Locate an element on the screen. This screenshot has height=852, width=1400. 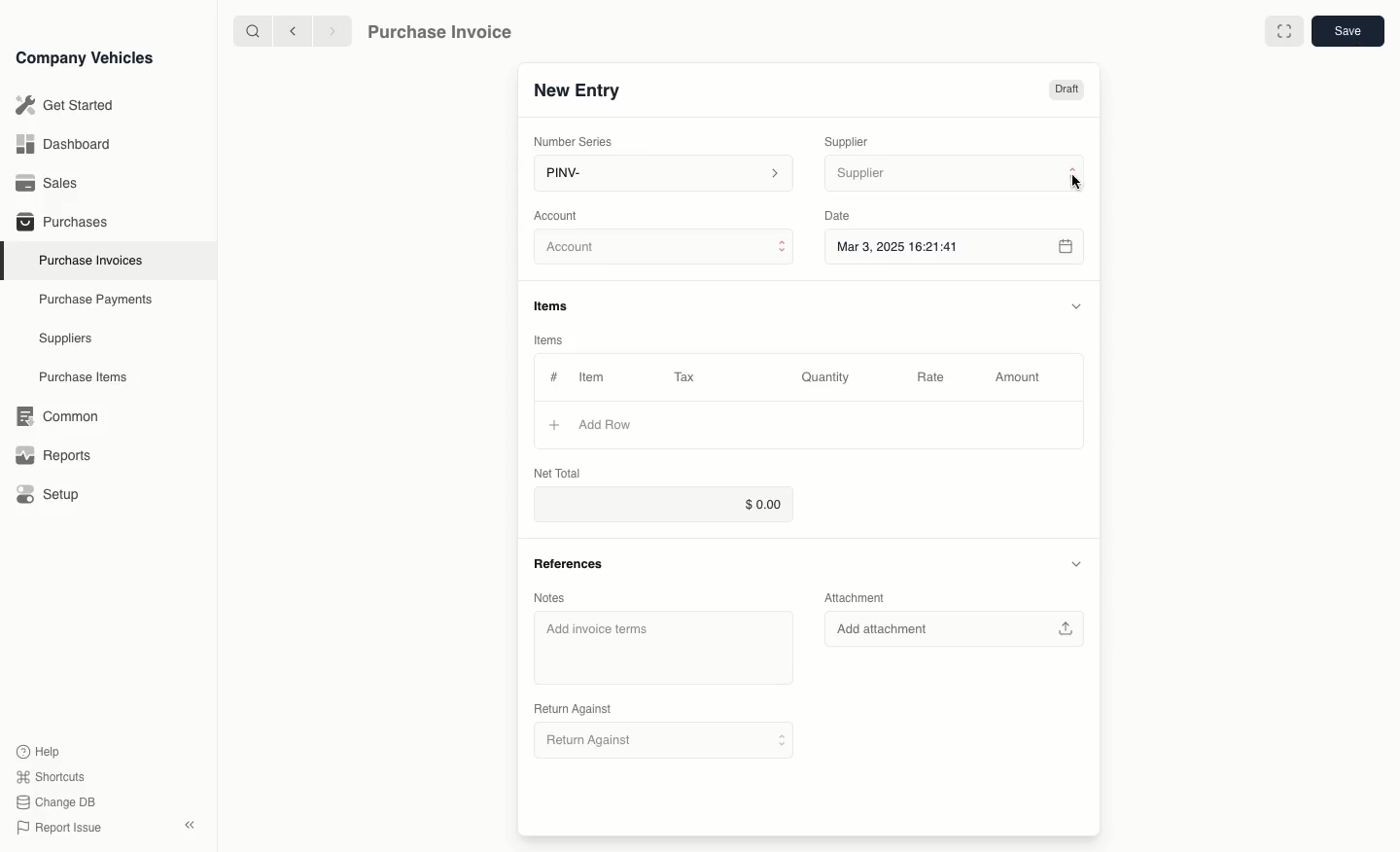
Help is located at coordinates (43, 751).